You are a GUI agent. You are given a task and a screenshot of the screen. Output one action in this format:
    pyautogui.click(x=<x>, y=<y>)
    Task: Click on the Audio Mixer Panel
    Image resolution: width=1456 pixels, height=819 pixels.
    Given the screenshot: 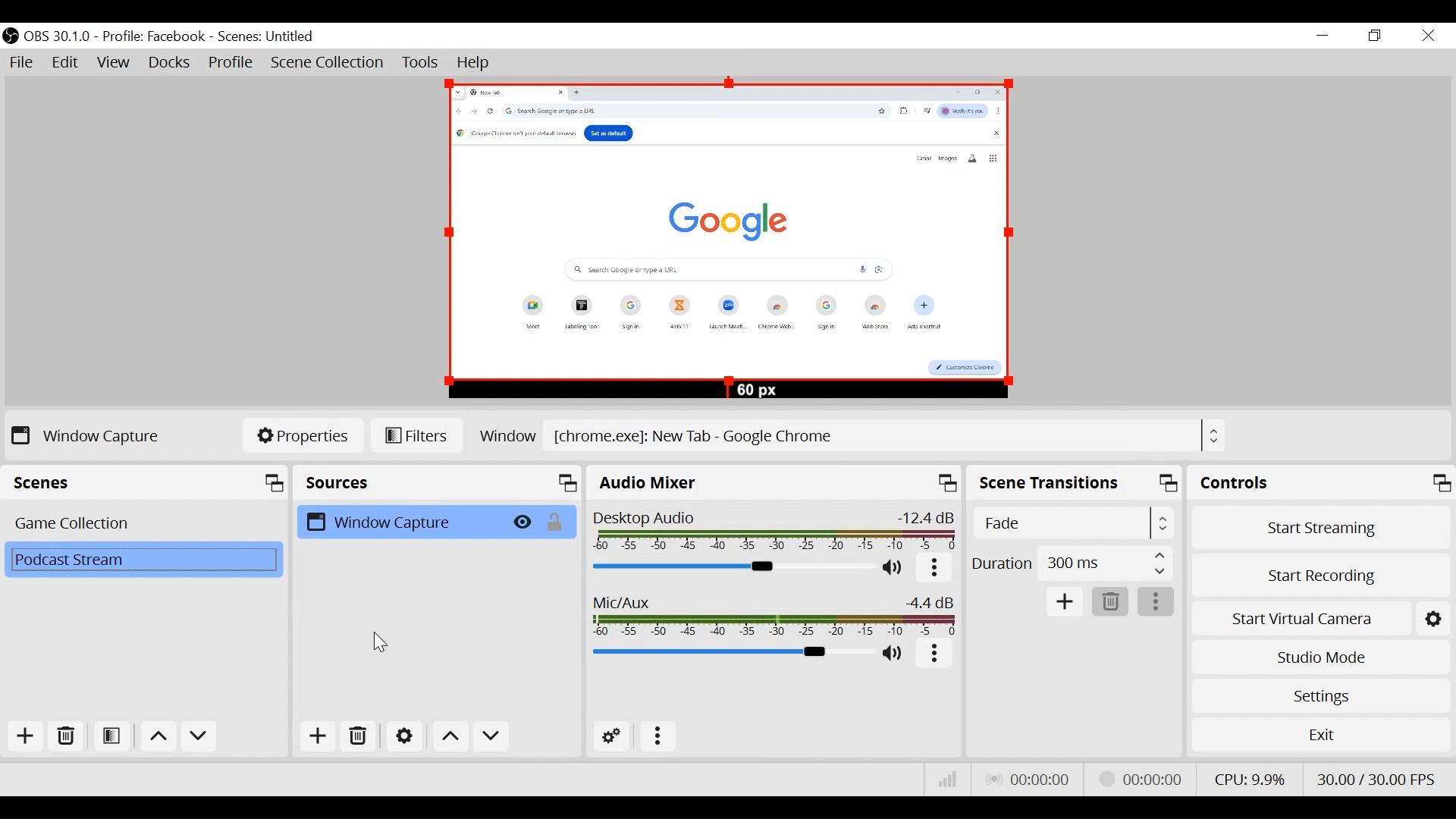 What is the action you would take?
    pyautogui.click(x=775, y=482)
    